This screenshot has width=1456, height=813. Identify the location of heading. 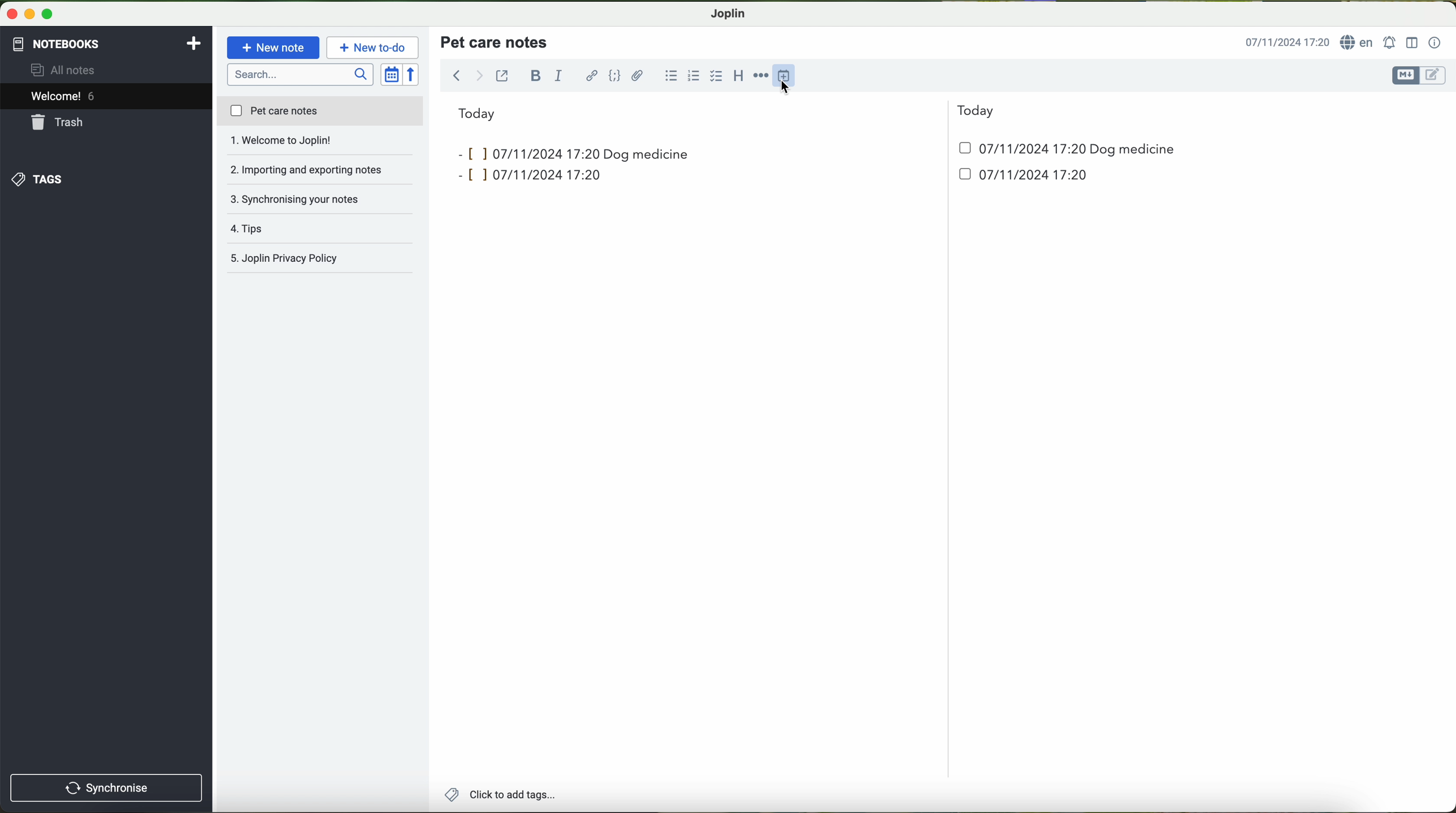
(739, 75).